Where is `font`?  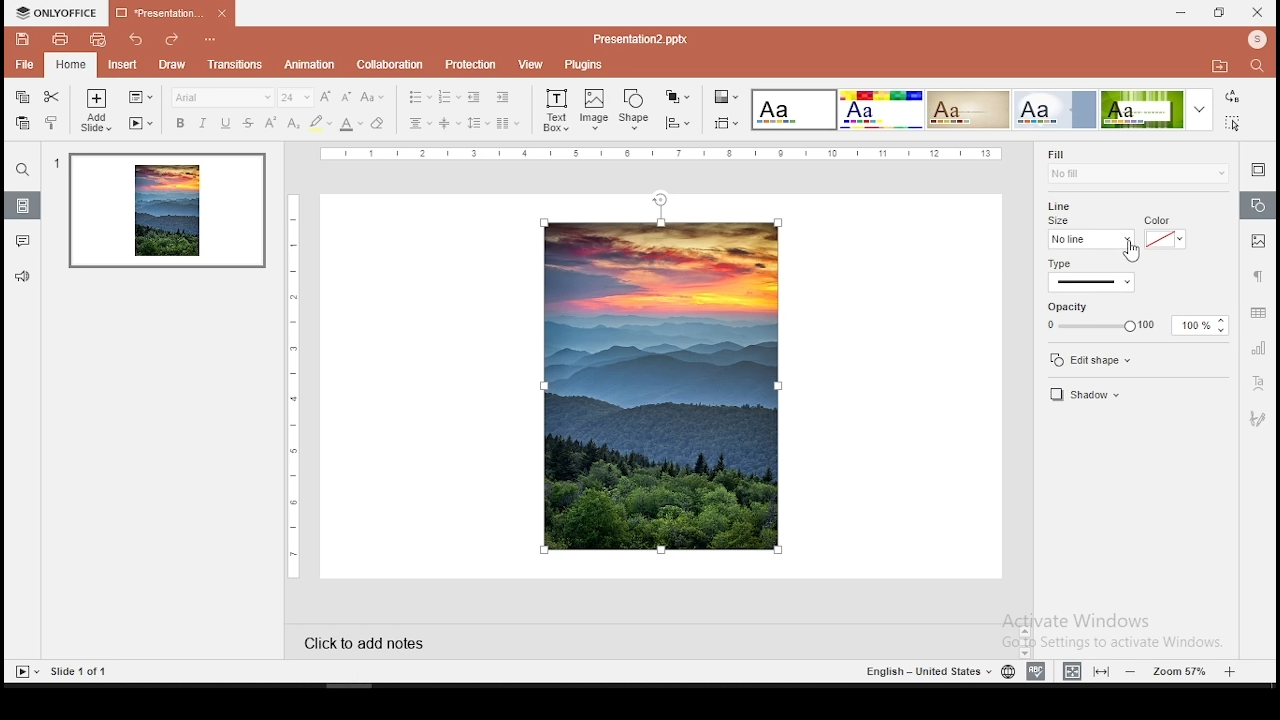 font is located at coordinates (223, 98).